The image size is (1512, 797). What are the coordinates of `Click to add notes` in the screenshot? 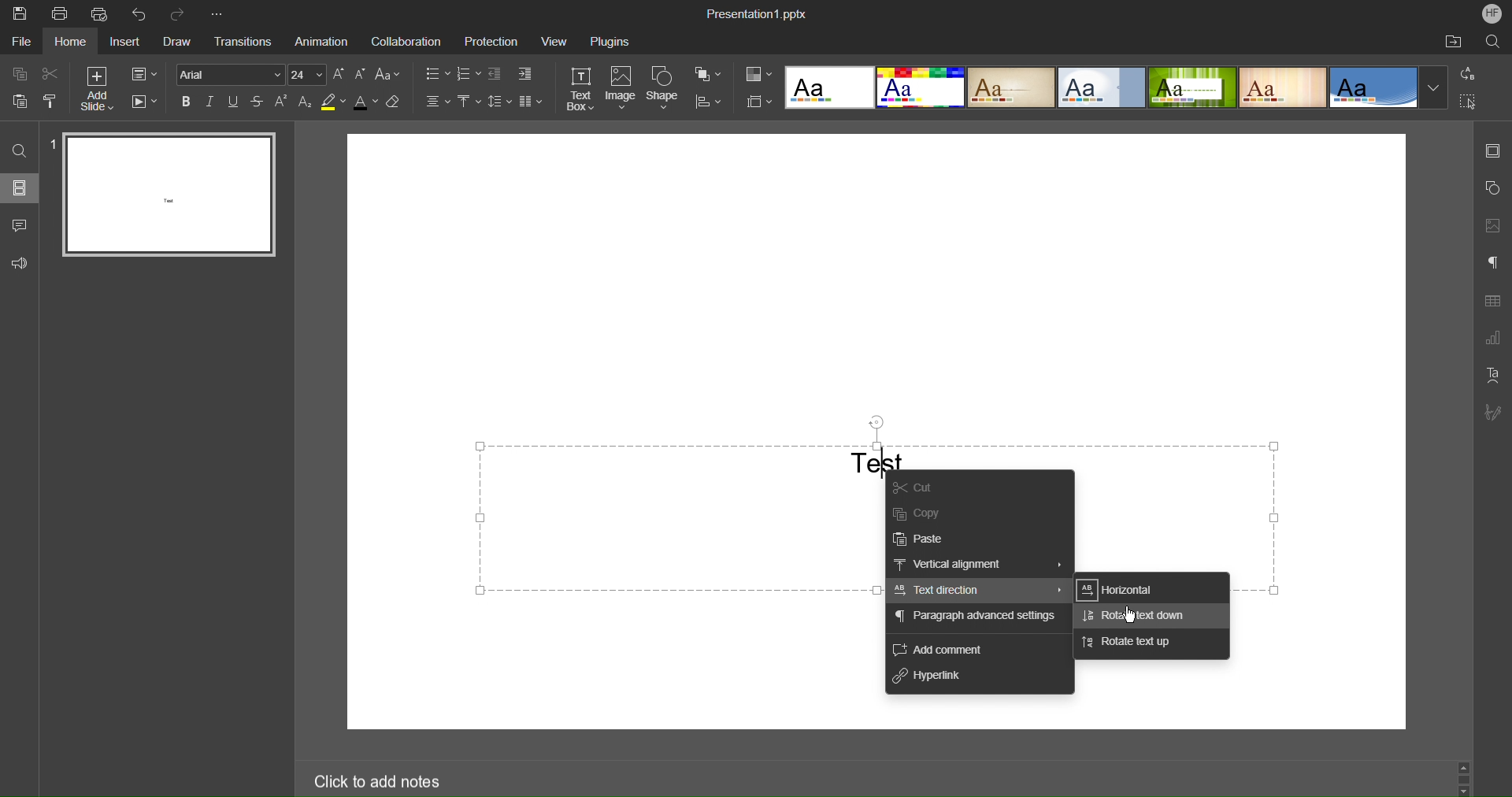 It's located at (376, 780).